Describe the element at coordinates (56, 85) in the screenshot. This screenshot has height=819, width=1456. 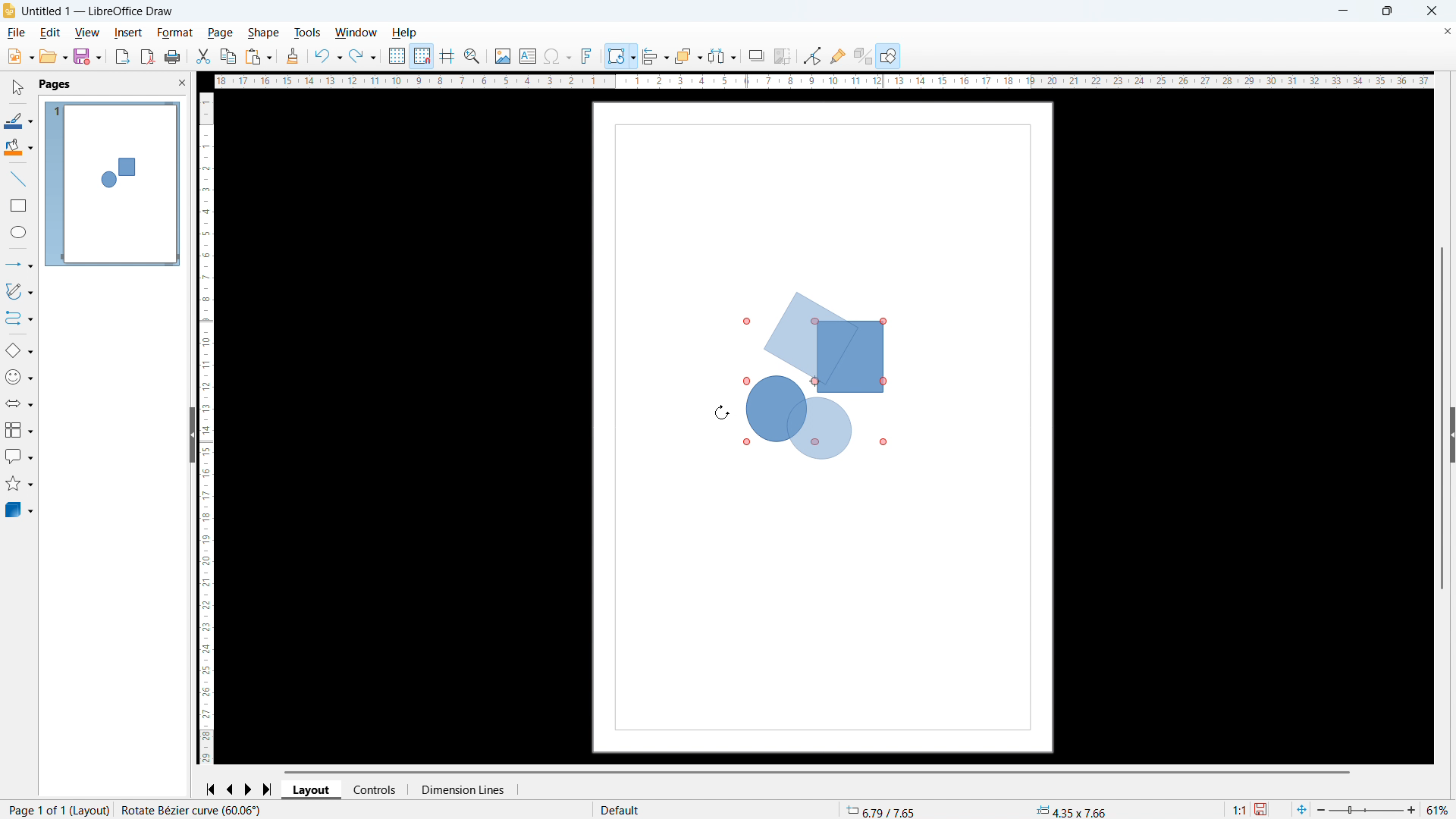
I see `Pages ` at that location.